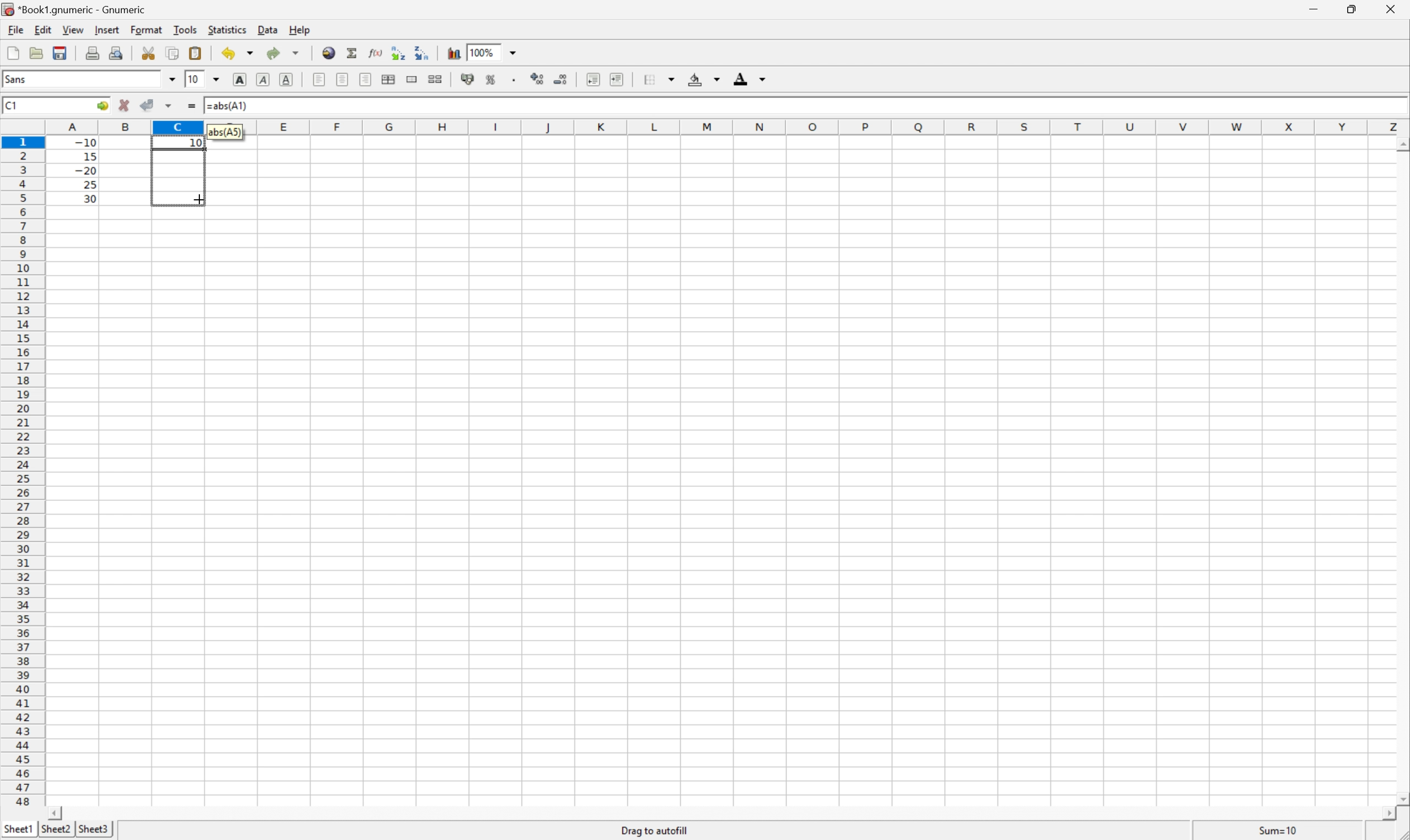  Describe the element at coordinates (1389, 11) in the screenshot. I see `close` at that location.